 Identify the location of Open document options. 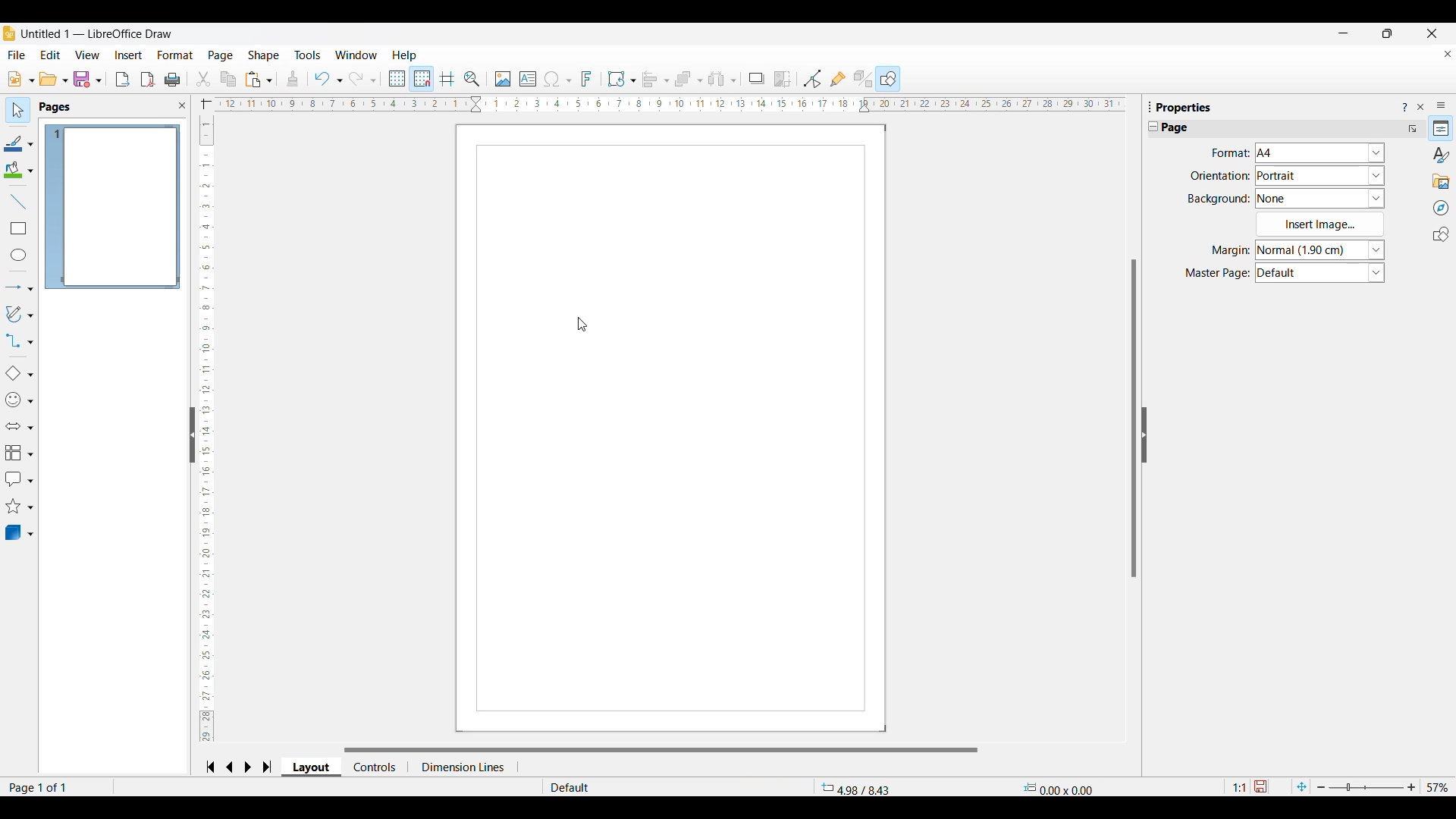
(54, 78).